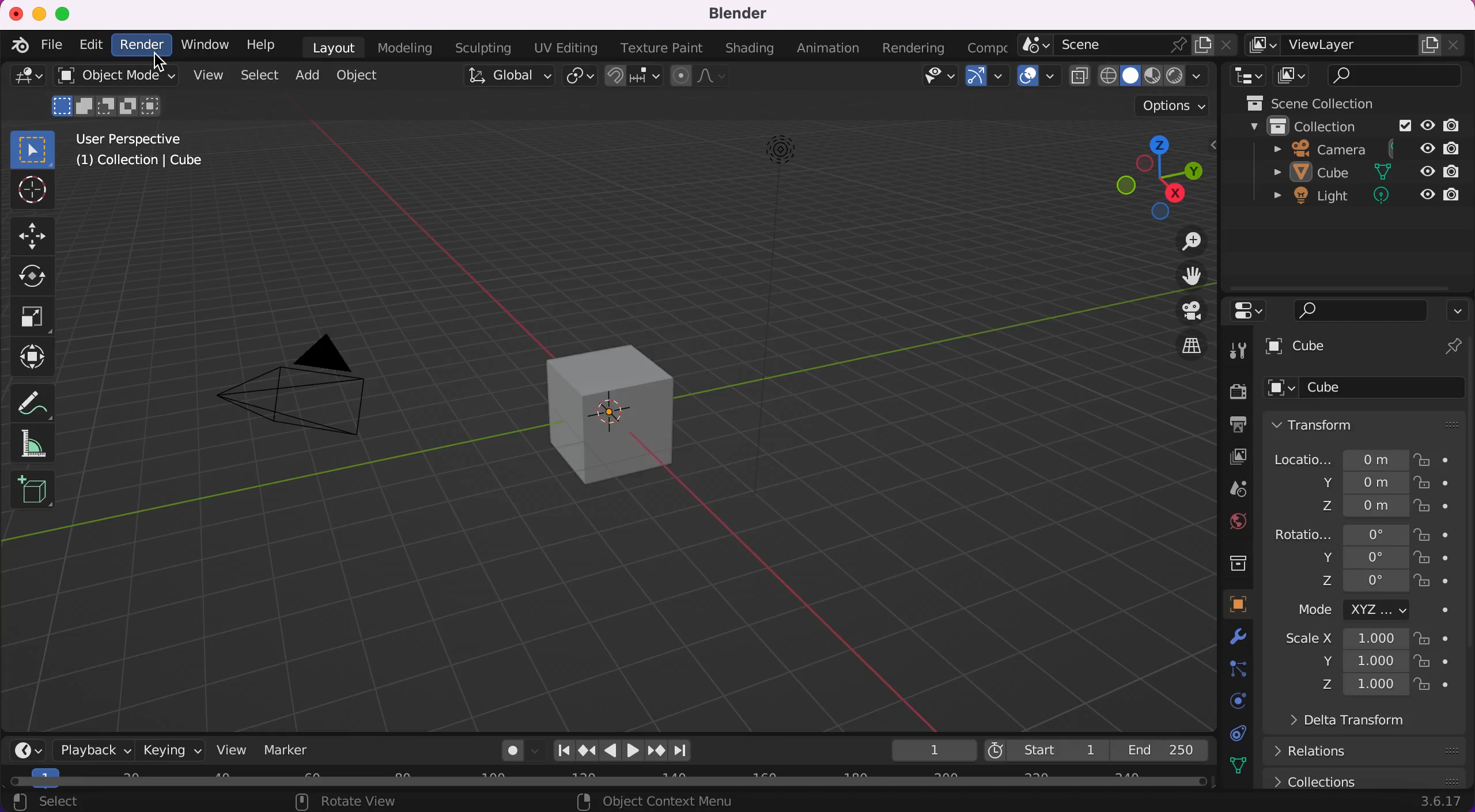 This screenshot has height=812, width=1475. I want to click on Join to startpoint, so click(562, 750).